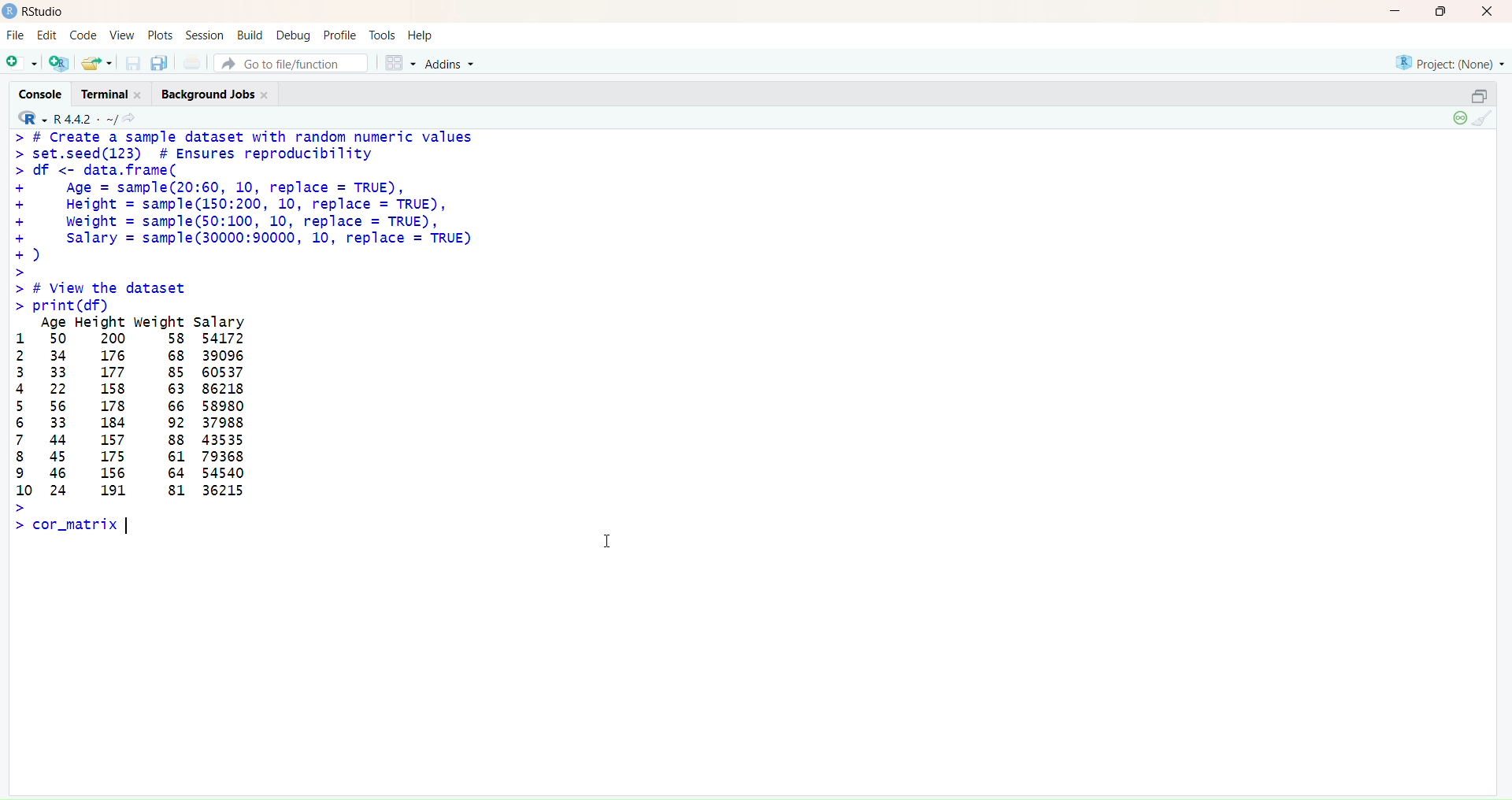  Describe the element at coordinates (294, 35) in the screenshot. I see `Debug` at that location.